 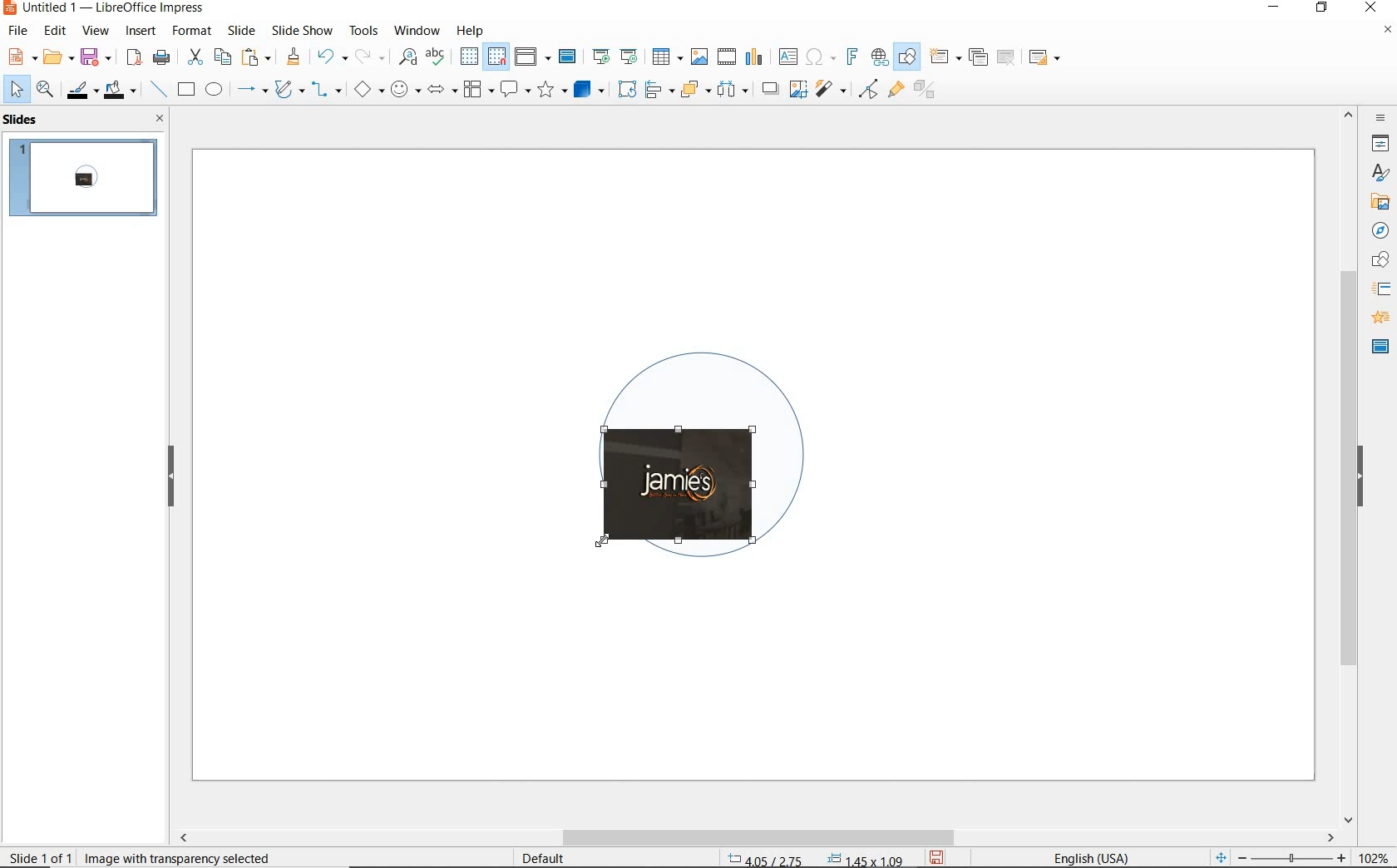 What do you see at coordinates (193, 57) in the screenshot?
I see `cut` at bounding box center [193, 57].